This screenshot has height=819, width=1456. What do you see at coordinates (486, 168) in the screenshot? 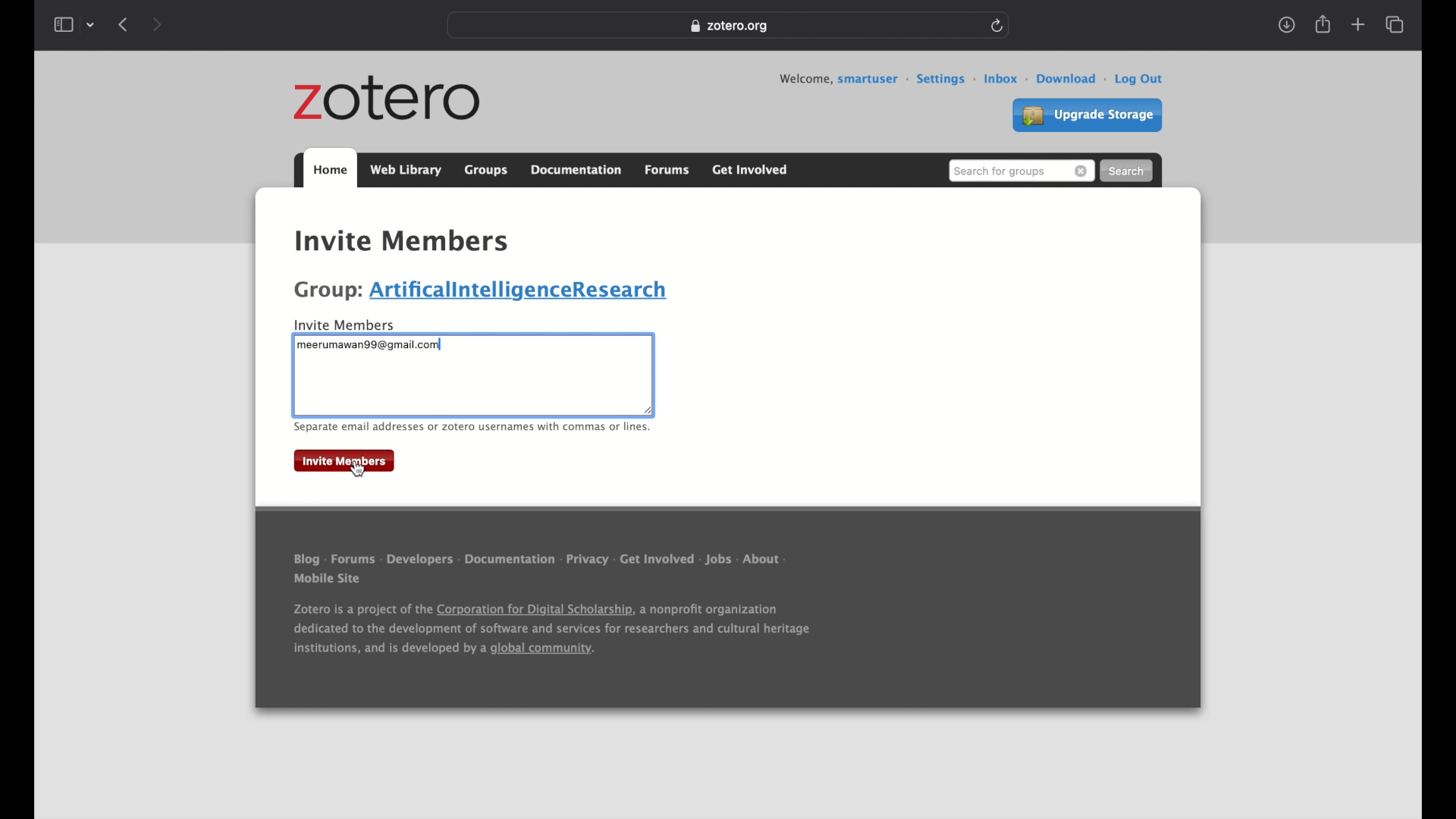
I see `groups tab` at bounding box center [486, 168].